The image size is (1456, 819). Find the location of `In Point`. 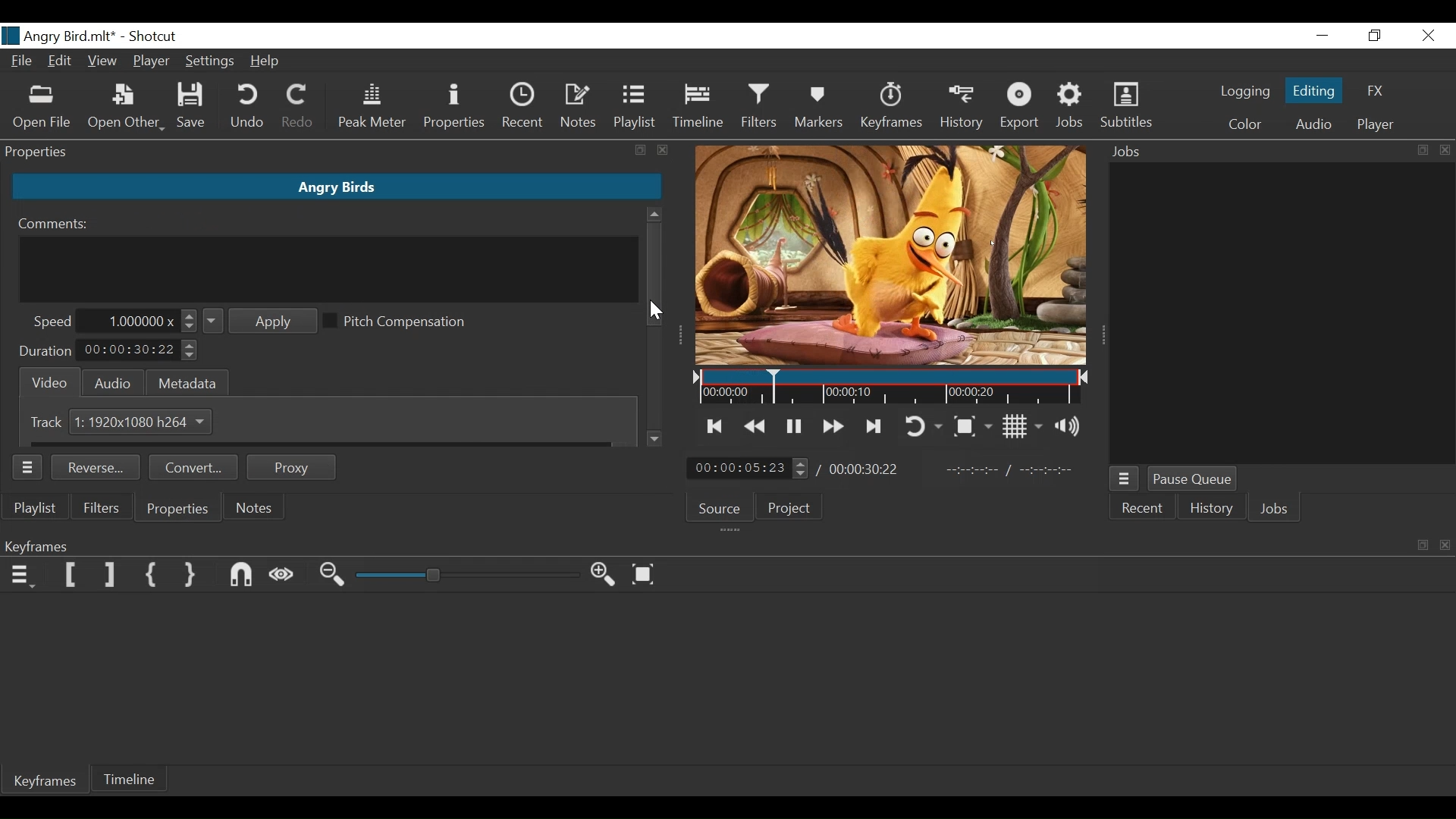

In Point is located at coordinates (1011, 468).